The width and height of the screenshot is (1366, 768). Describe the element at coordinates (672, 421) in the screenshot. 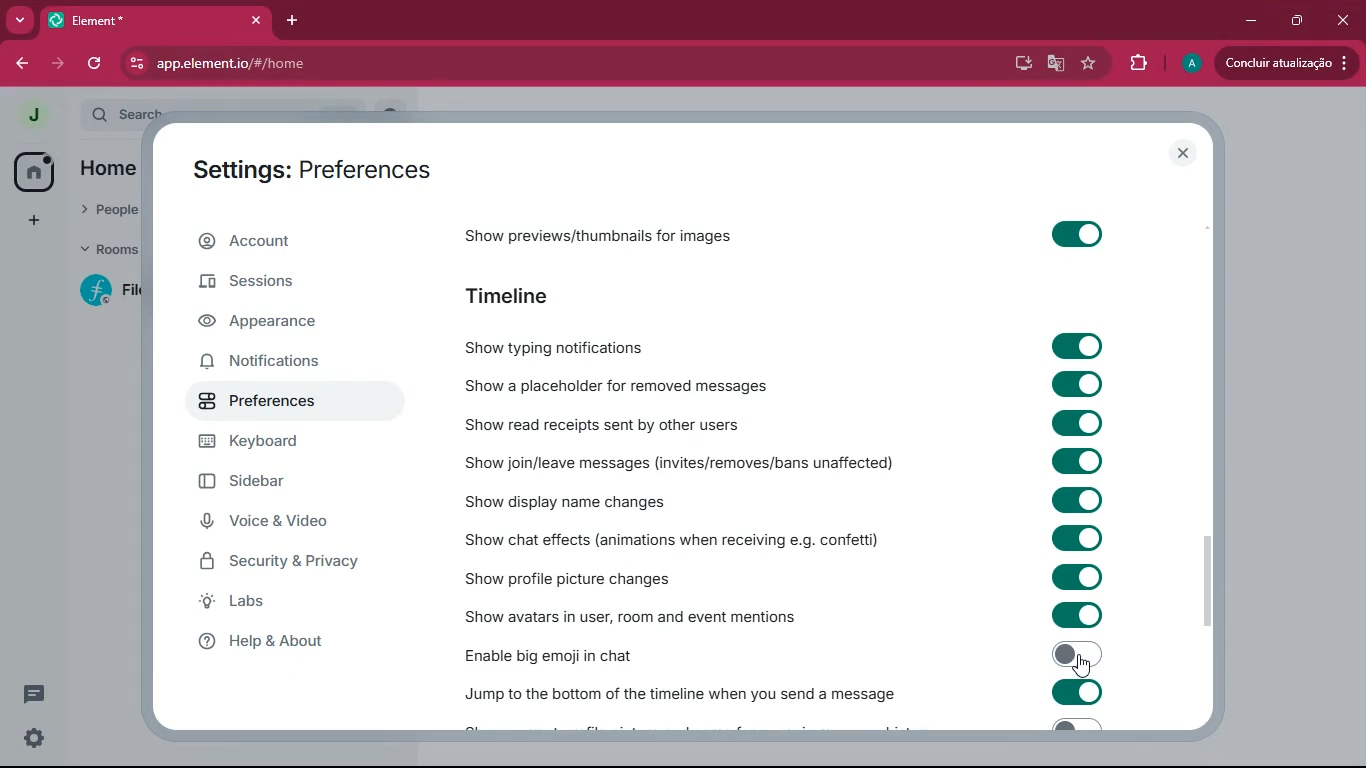

I see `show read receipts sent by other users` at that location.